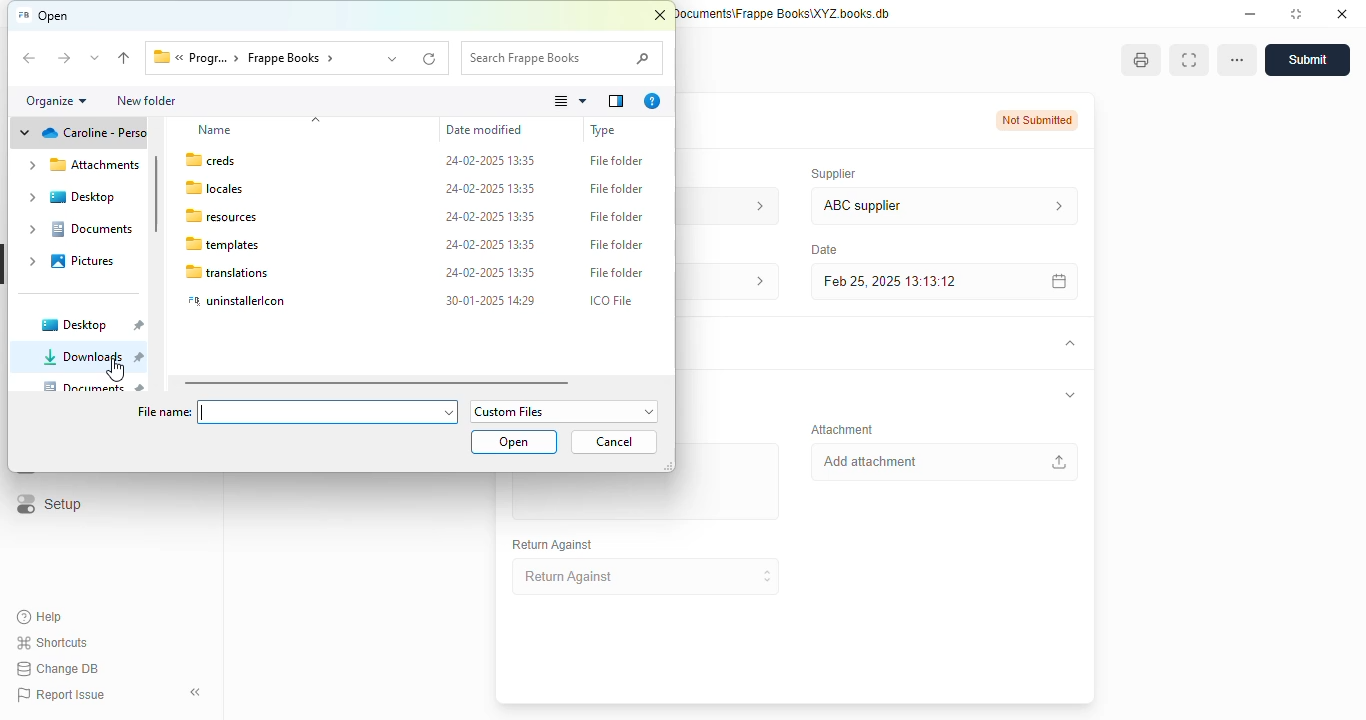  I want to click on account information, so click(753, 282).